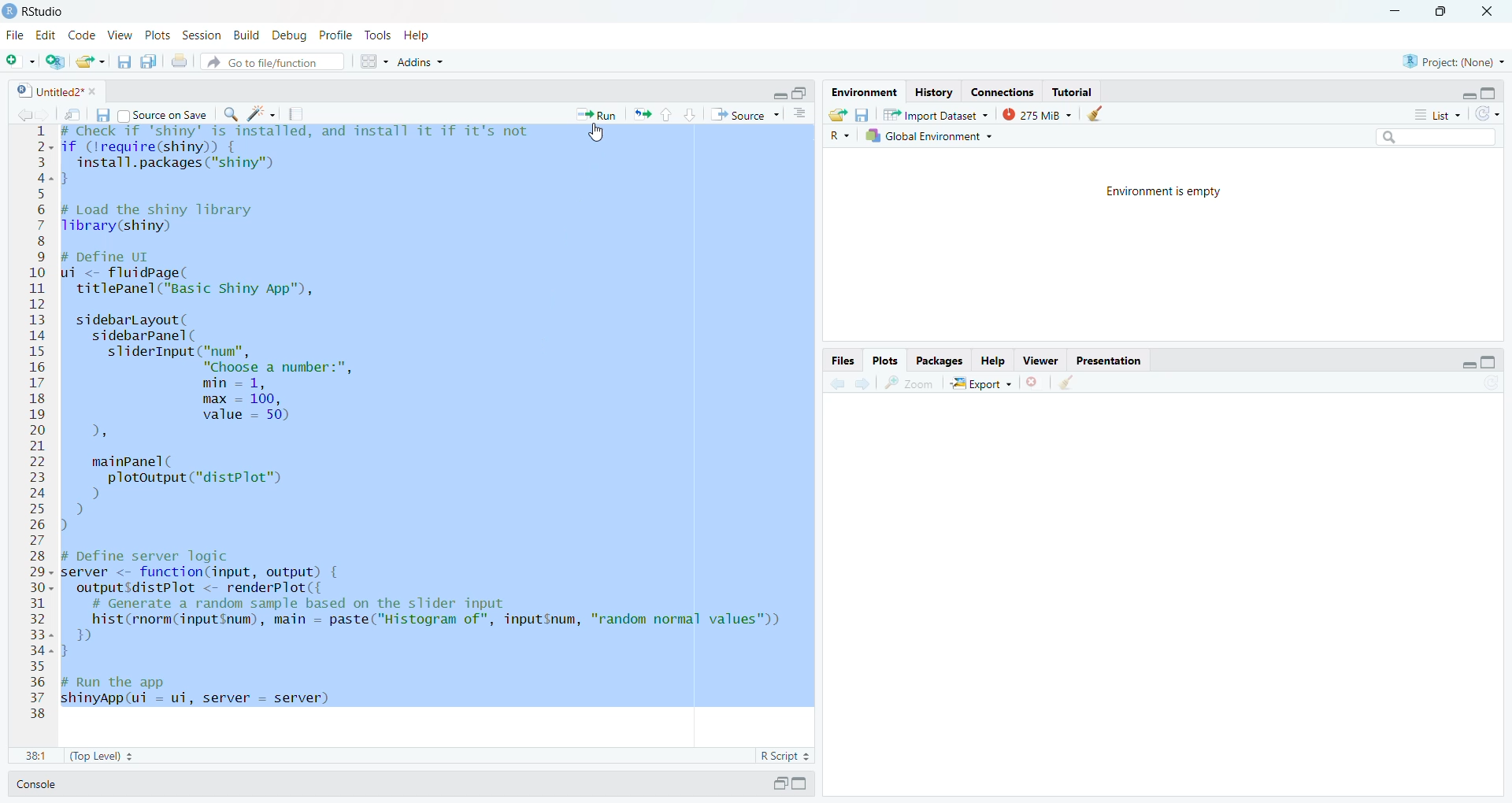  What do you see at coordinates (170, 218) in the screenshot?
I see `# Load the shiny library library (shiny)` at bounding box center [170, 218].